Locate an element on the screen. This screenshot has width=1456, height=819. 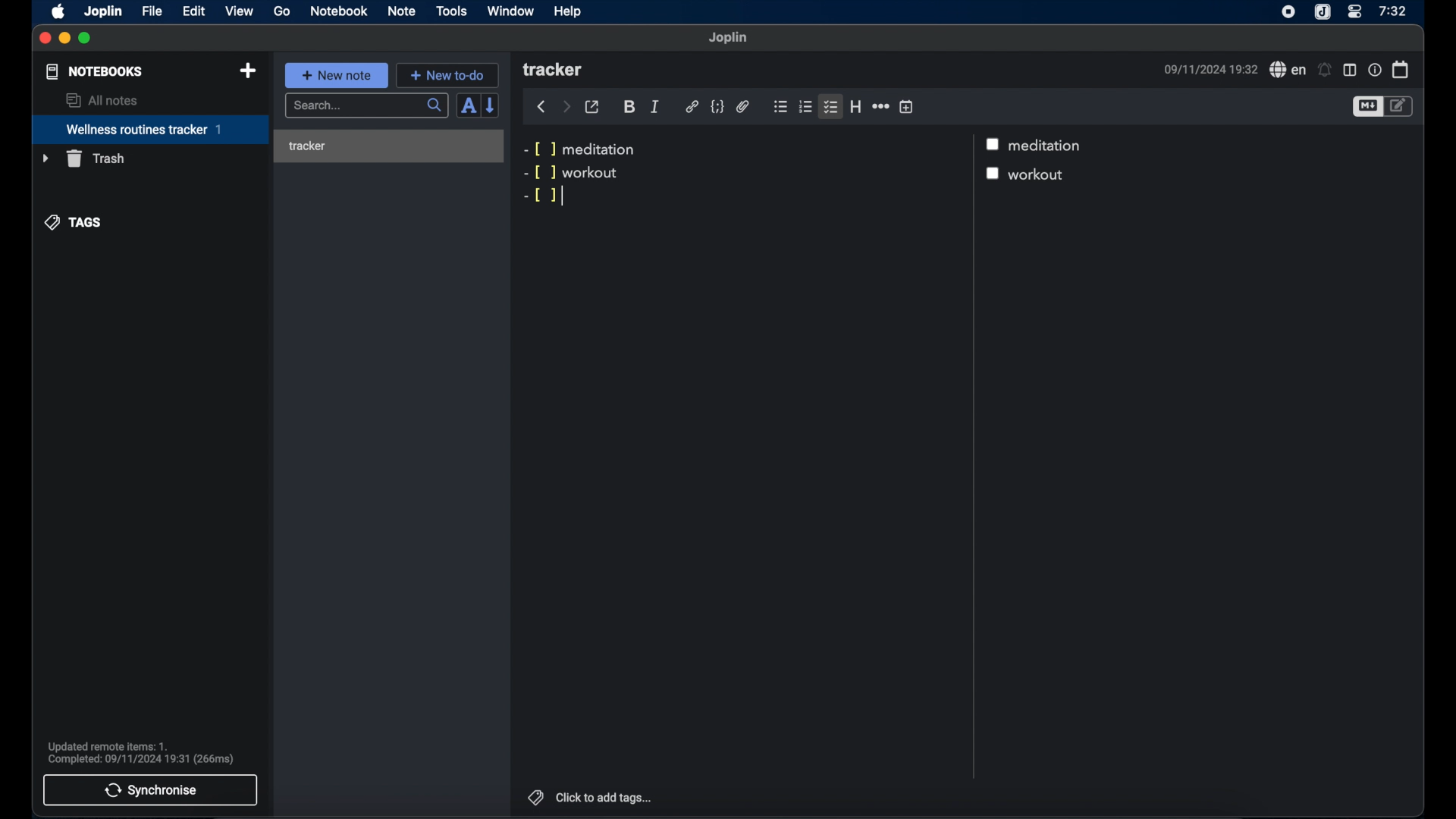
tools is located at coordinates (452, 11).